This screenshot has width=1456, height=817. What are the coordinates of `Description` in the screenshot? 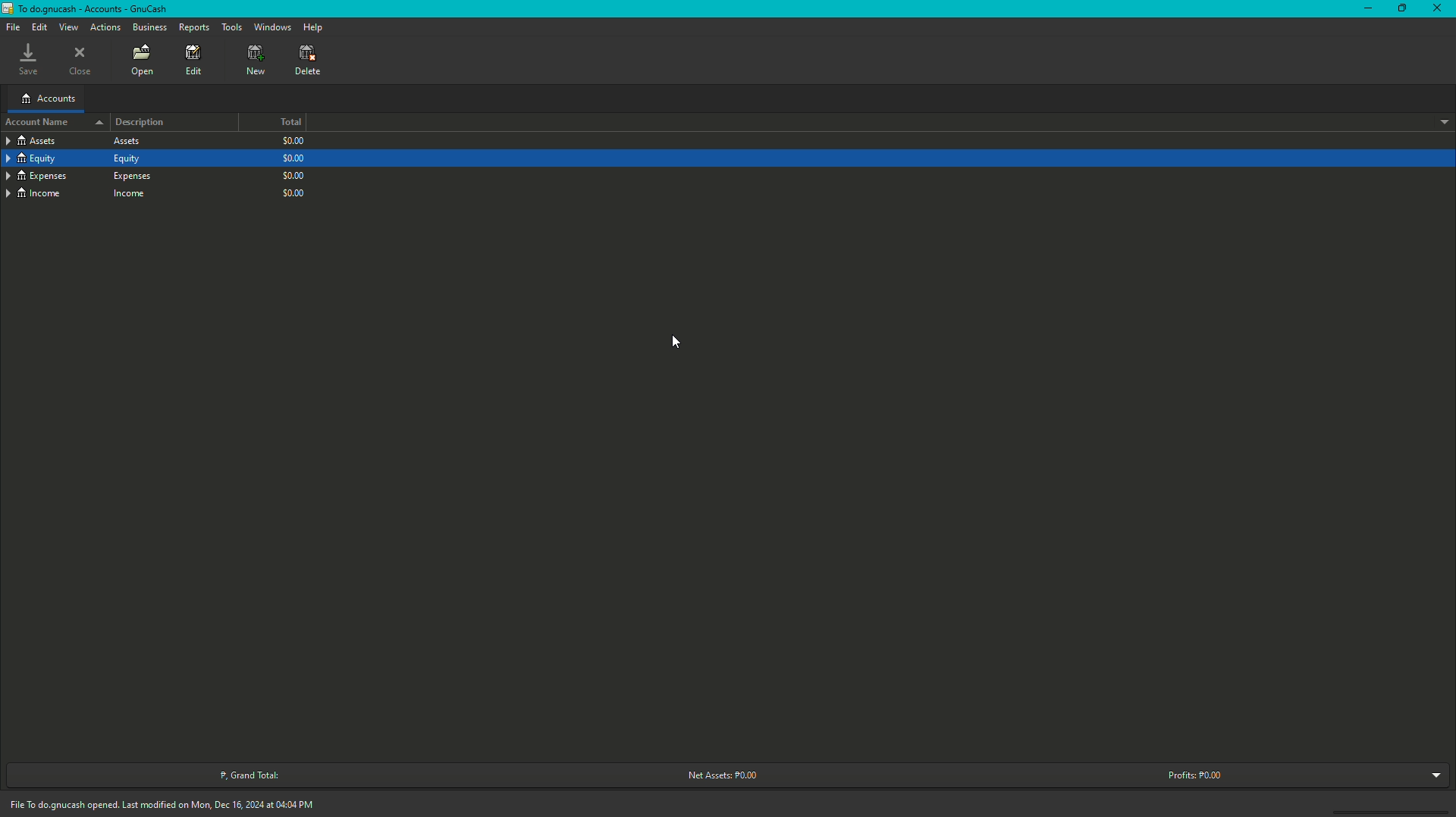 It's located at (141, 122).